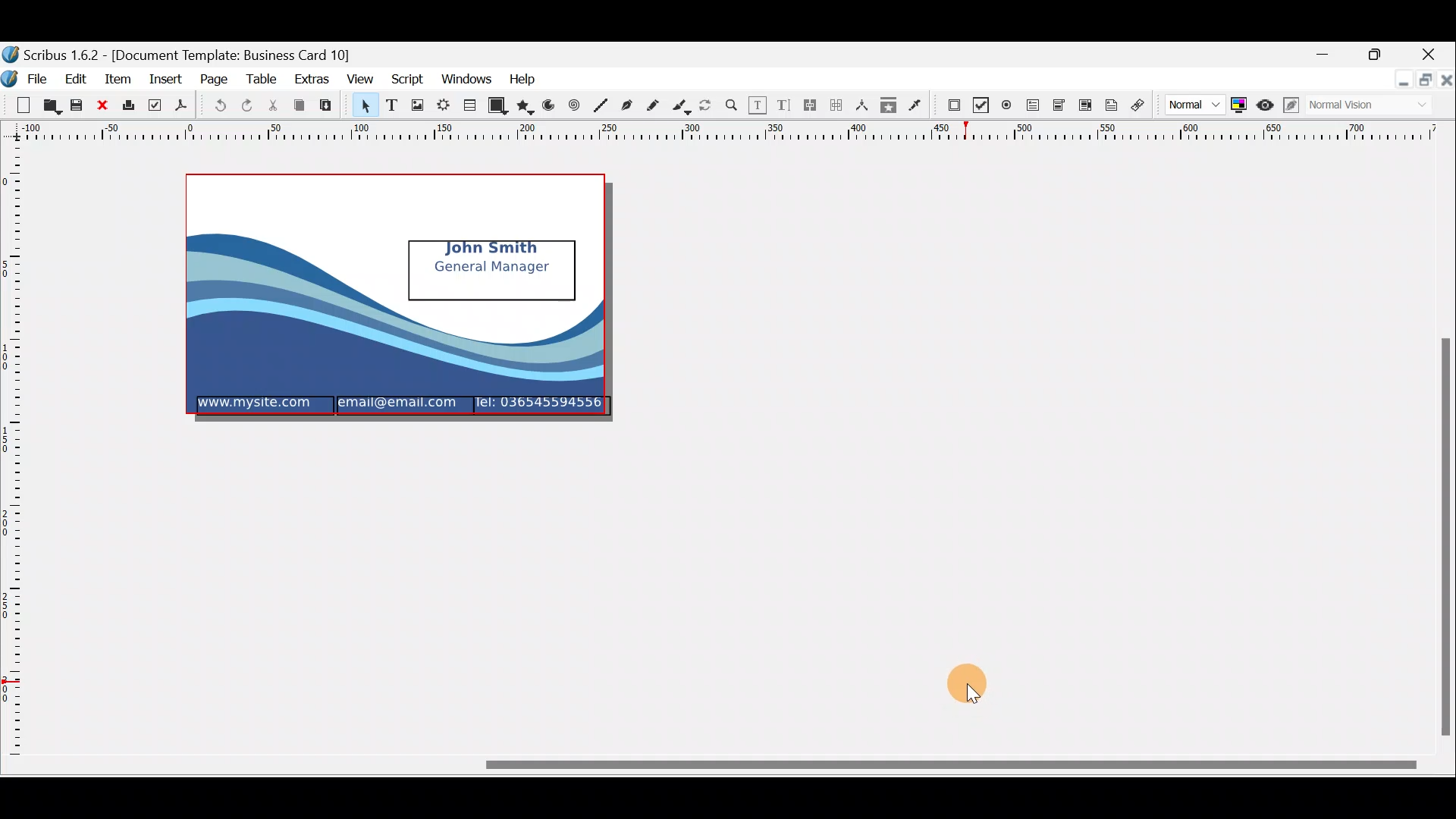 This screenshot has width=1456, height=819. Describe the element at coordinates (706, 106) in the screenshot. I see `Rotate item` at that location.